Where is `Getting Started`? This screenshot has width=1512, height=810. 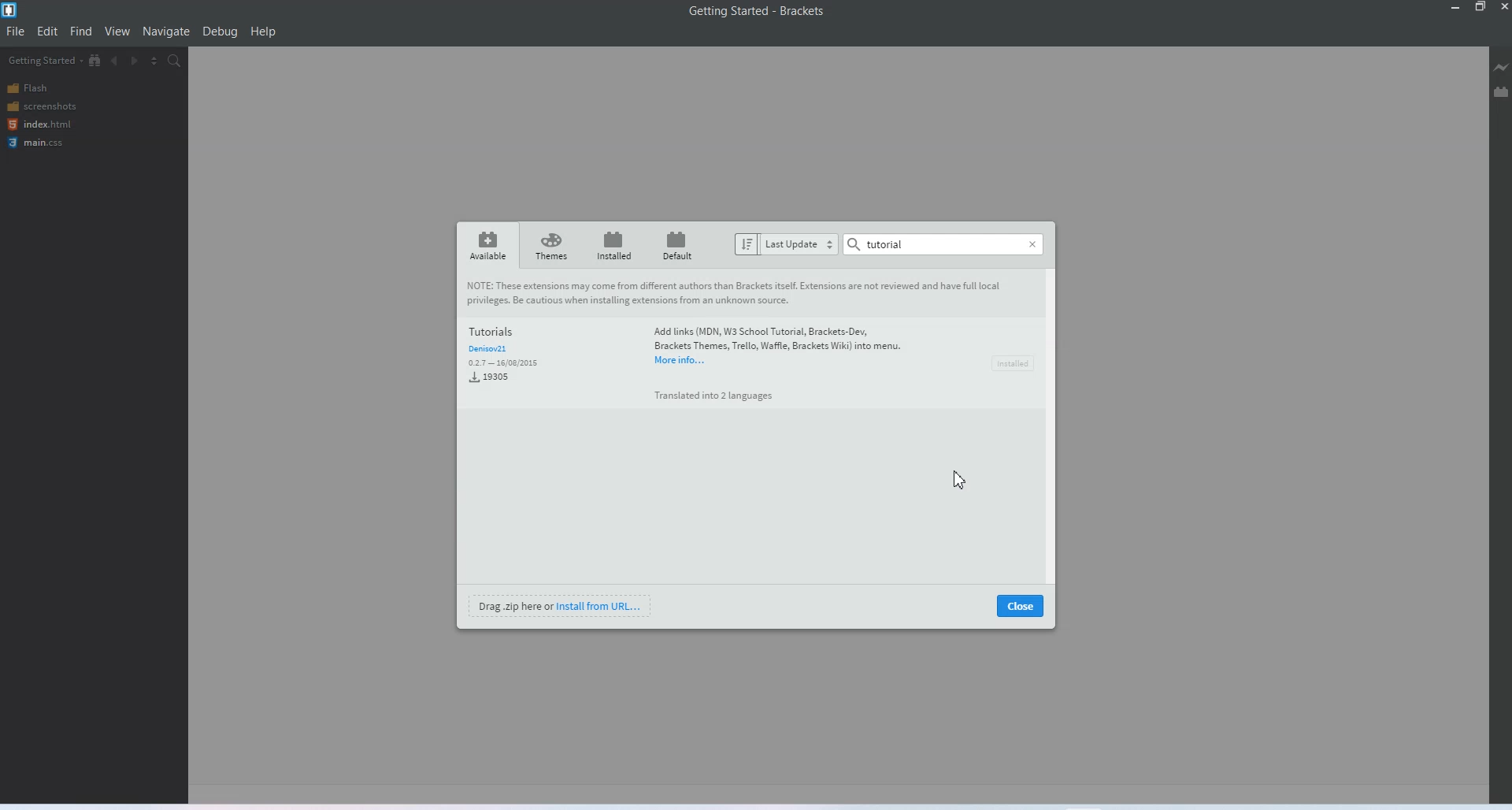 Getting Started is located at coordinates (43, 61).